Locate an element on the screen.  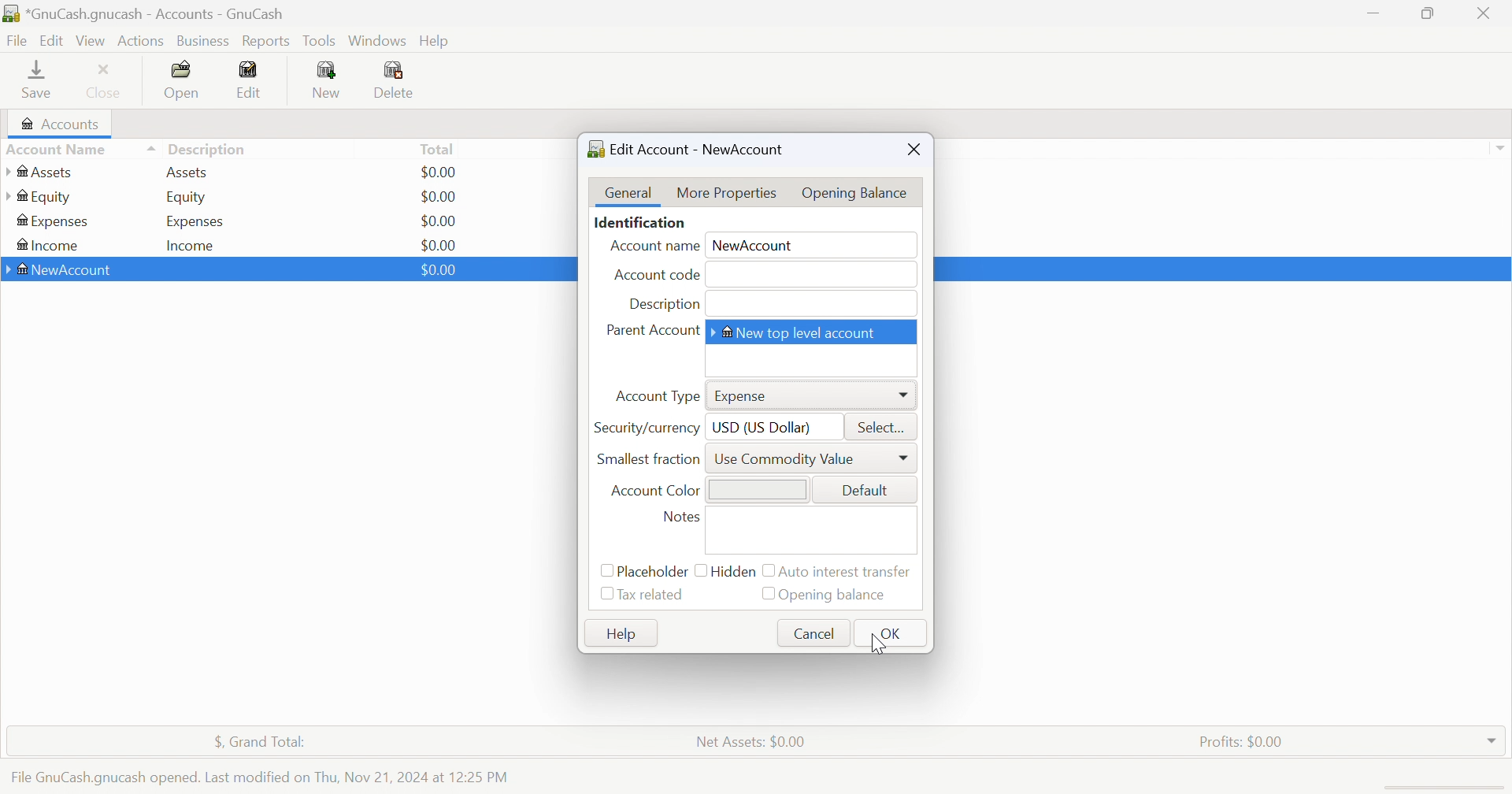
Opening Balance is located at coordinates (857, 193).